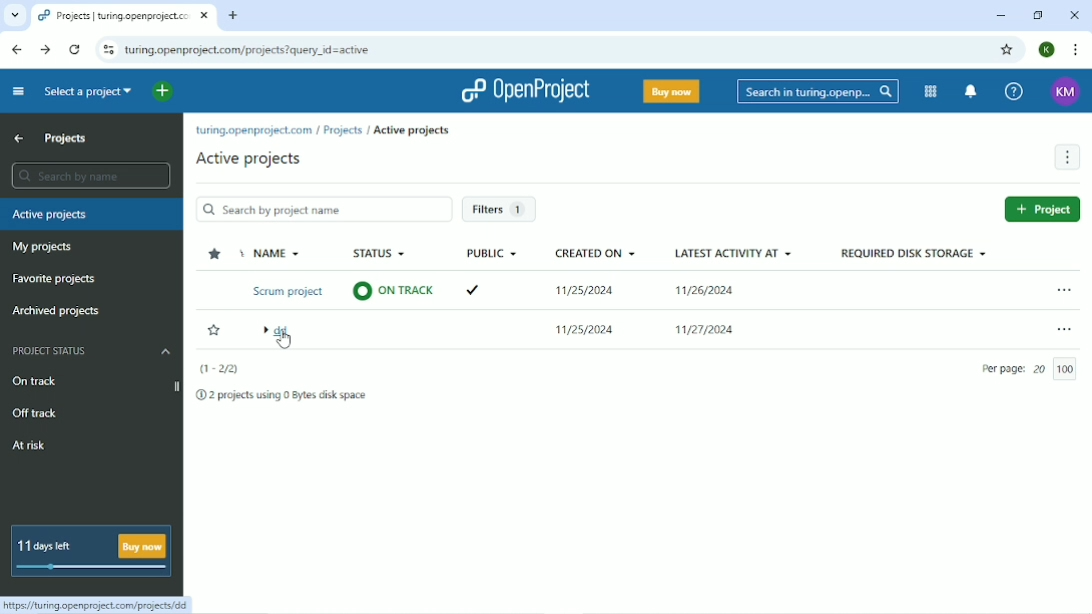 The image size is (1092, 614). Describe the element at coordinates (708, 328) in the screenshot. I see `11/27/2024` at that location.